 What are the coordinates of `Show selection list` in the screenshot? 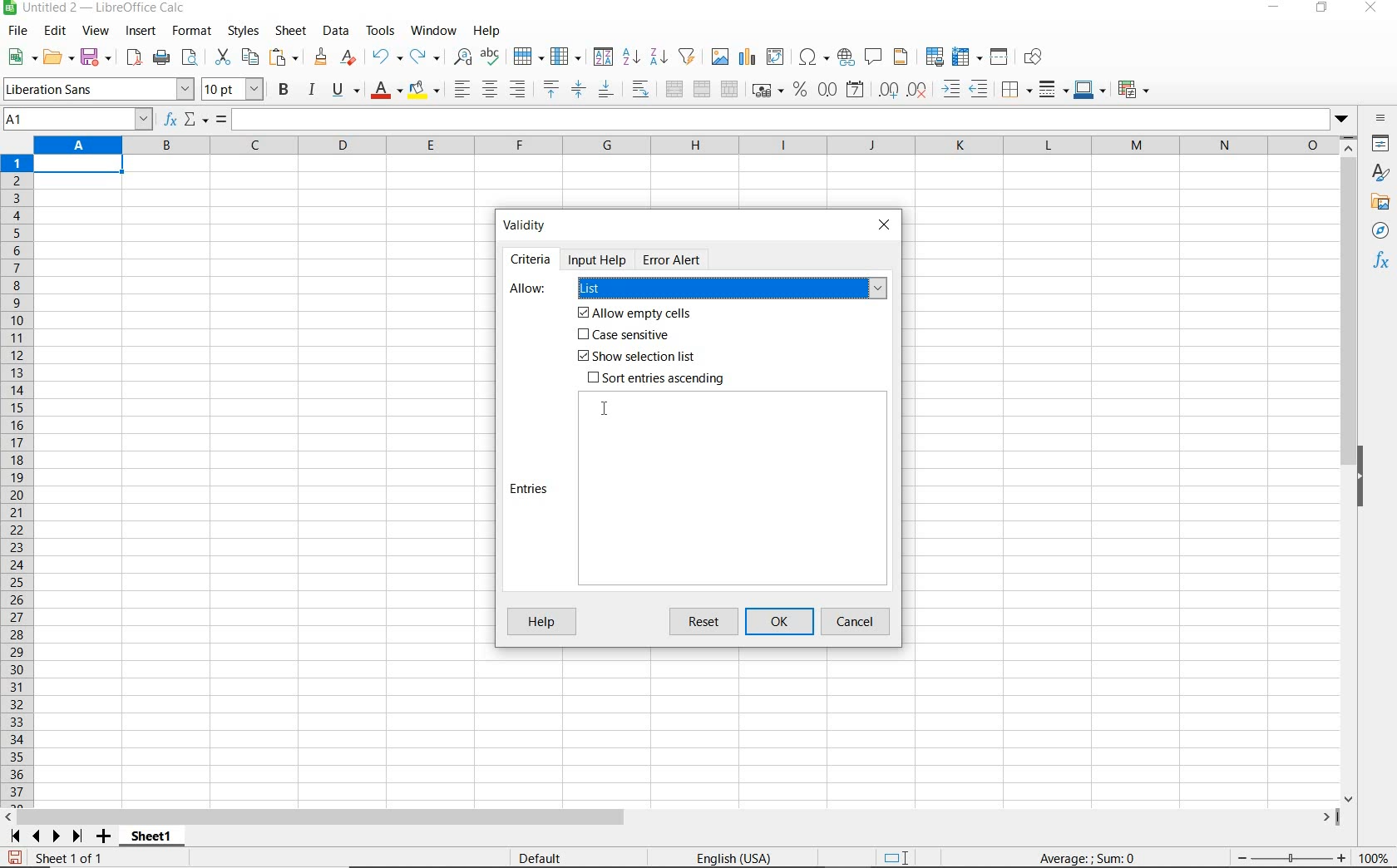 It's located at (634, 357).